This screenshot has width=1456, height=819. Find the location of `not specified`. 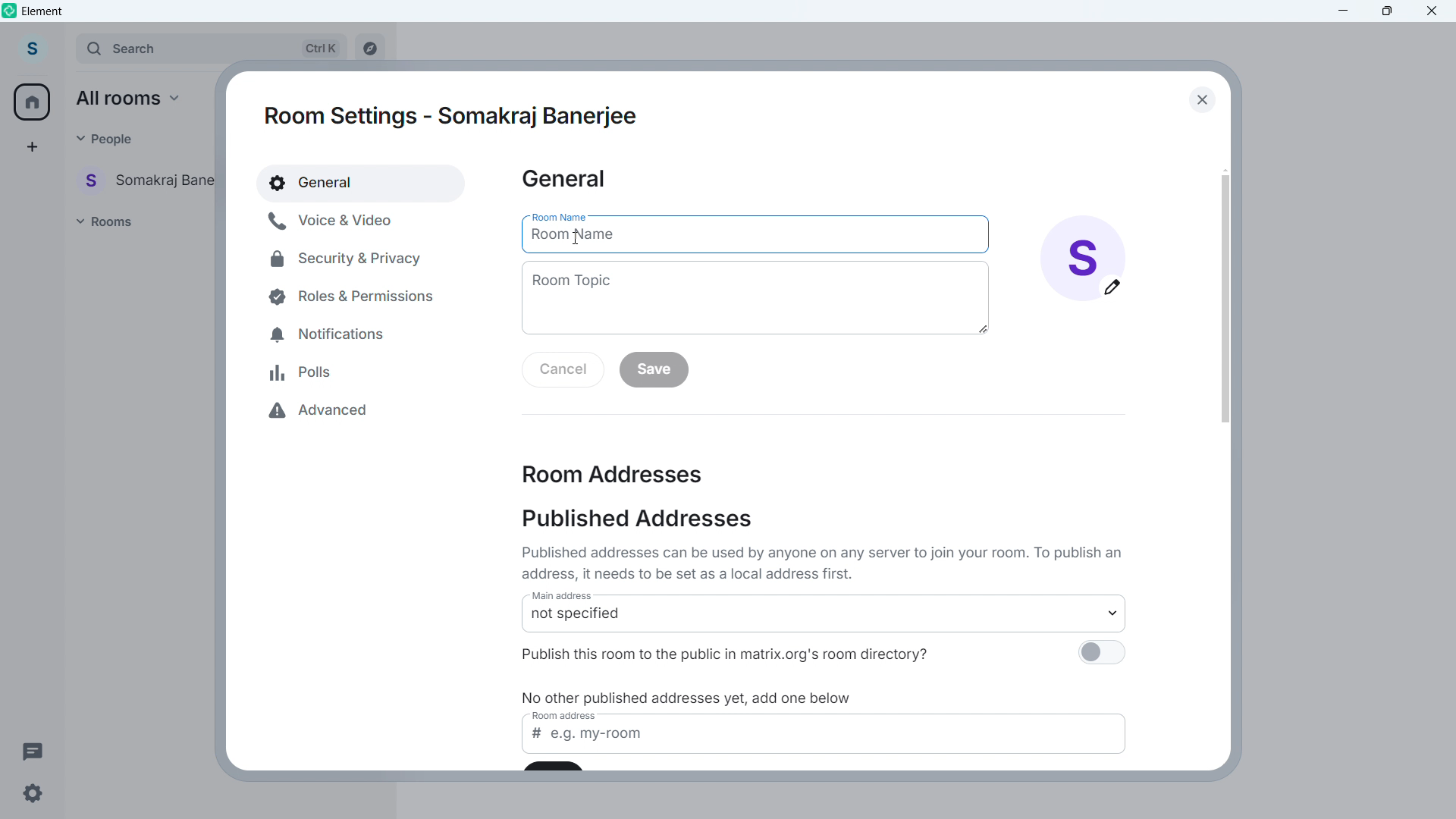

not specified is located at coordinates (827, 620).